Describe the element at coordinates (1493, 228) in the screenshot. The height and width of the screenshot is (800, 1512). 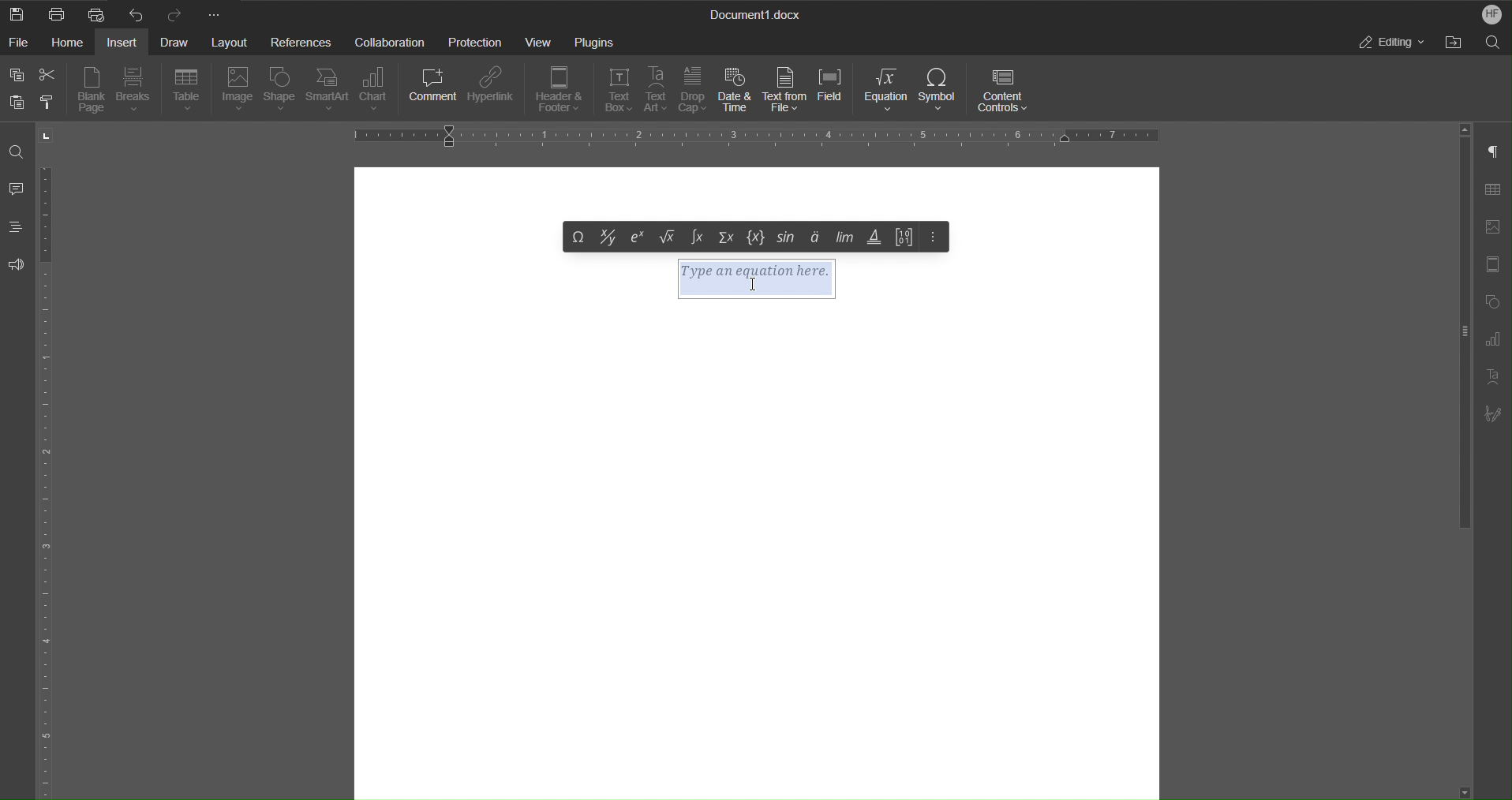
I see `Insert Image` at that location.